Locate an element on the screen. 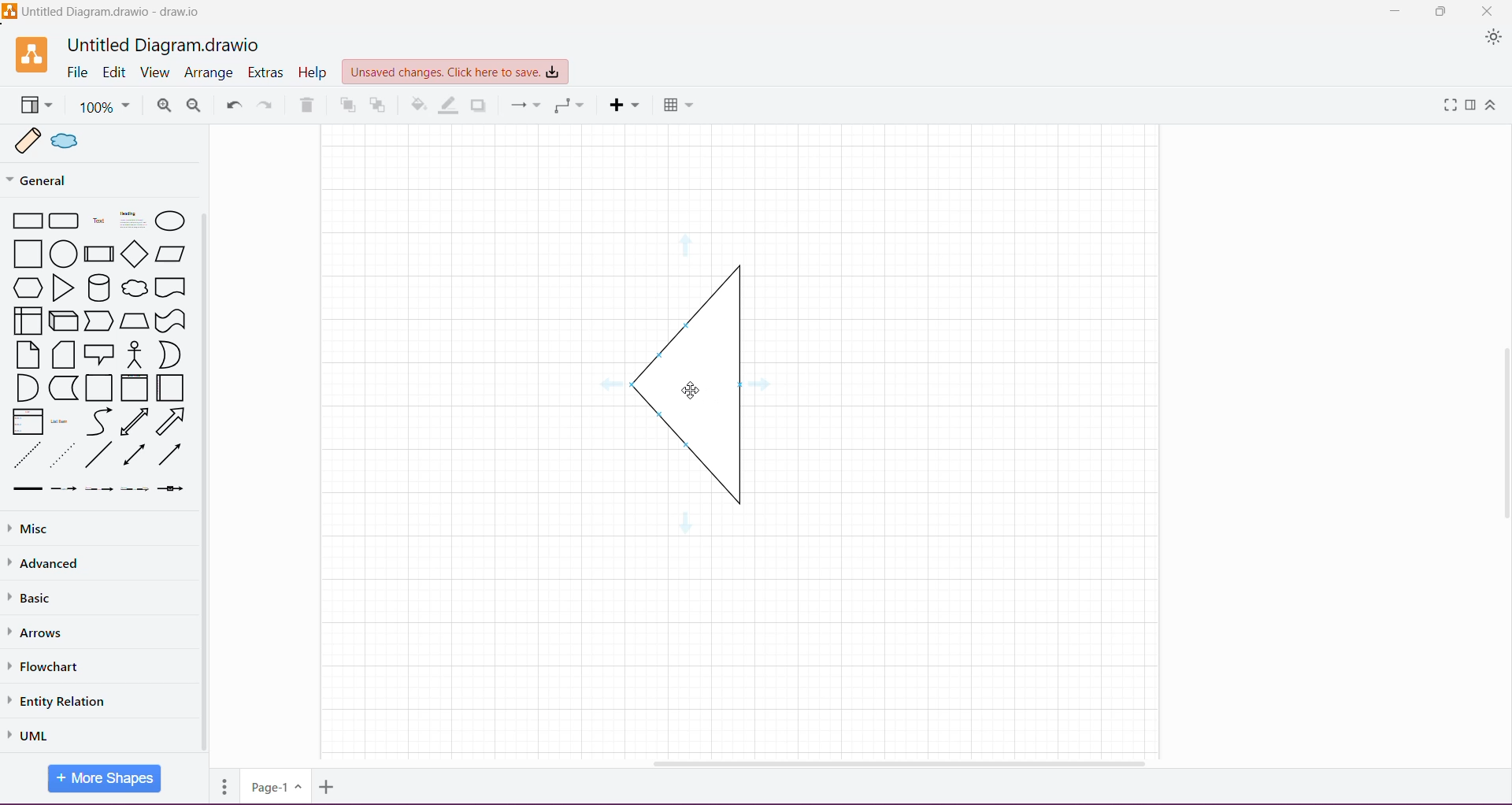  Pages is located at coordinates (223, 788).